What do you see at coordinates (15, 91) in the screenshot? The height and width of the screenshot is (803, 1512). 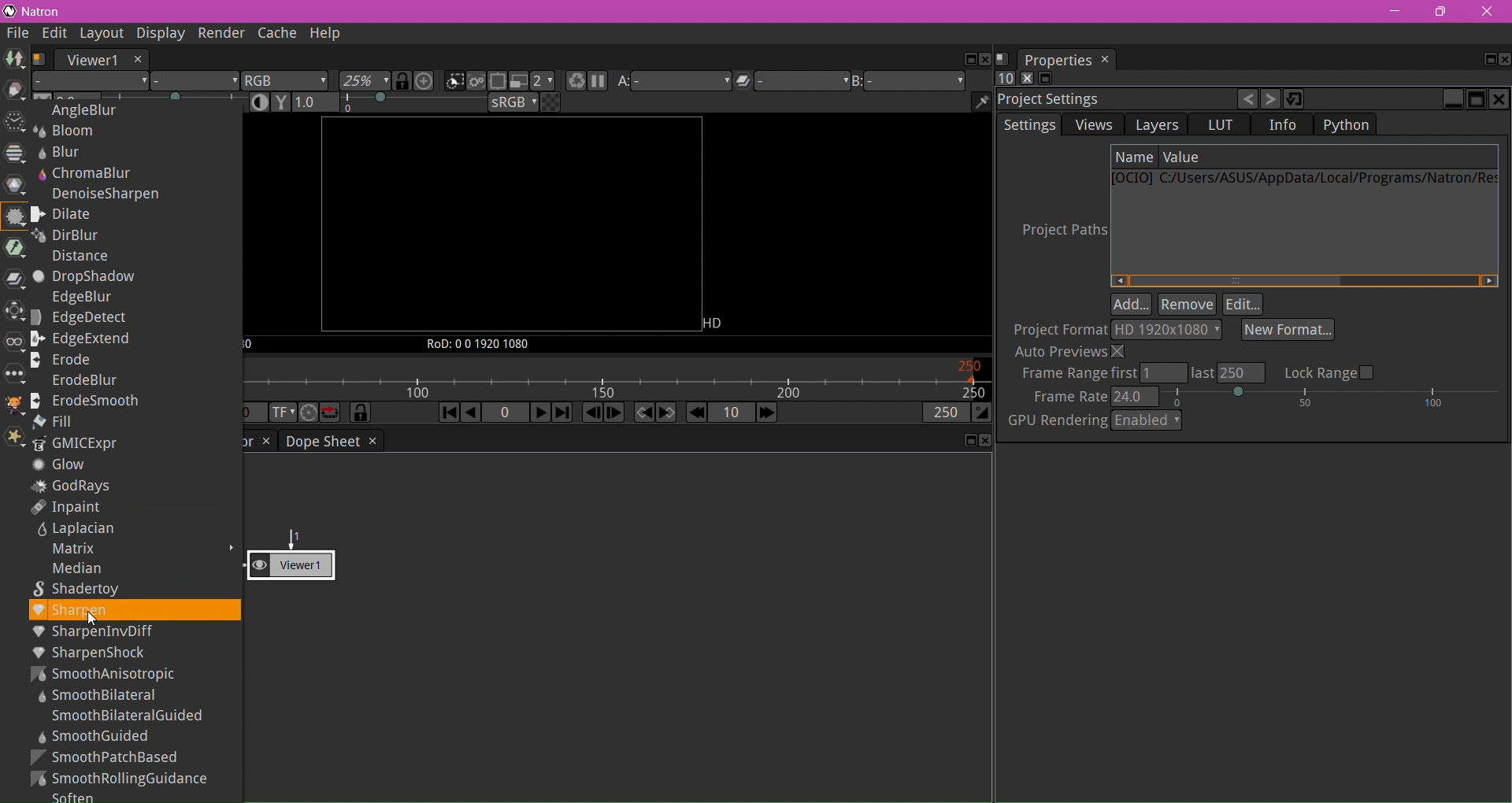 I see `Draw` at bounding box center [15, 91].